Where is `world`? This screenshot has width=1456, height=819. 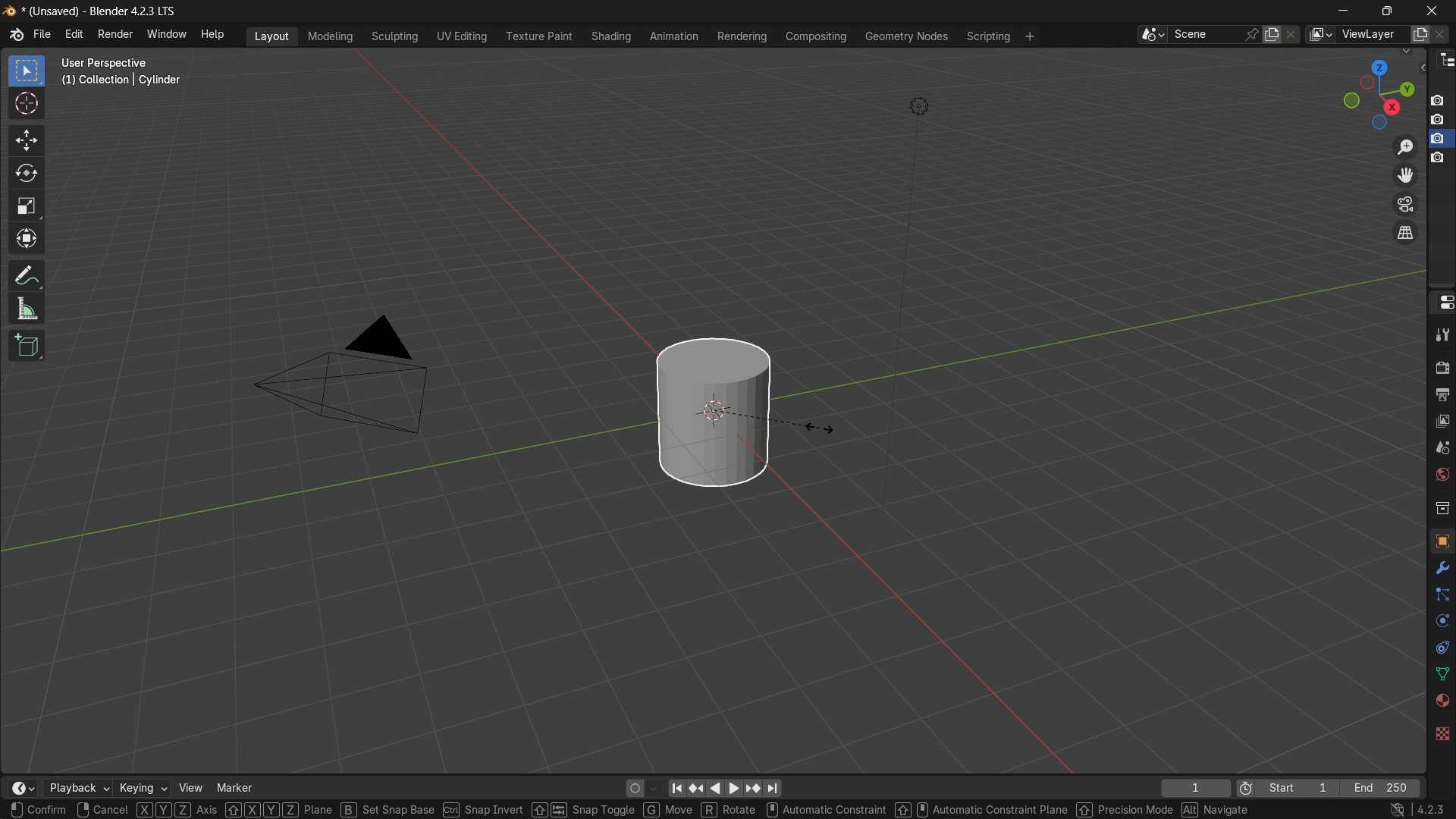 world is located at coordinates (1442, 475).